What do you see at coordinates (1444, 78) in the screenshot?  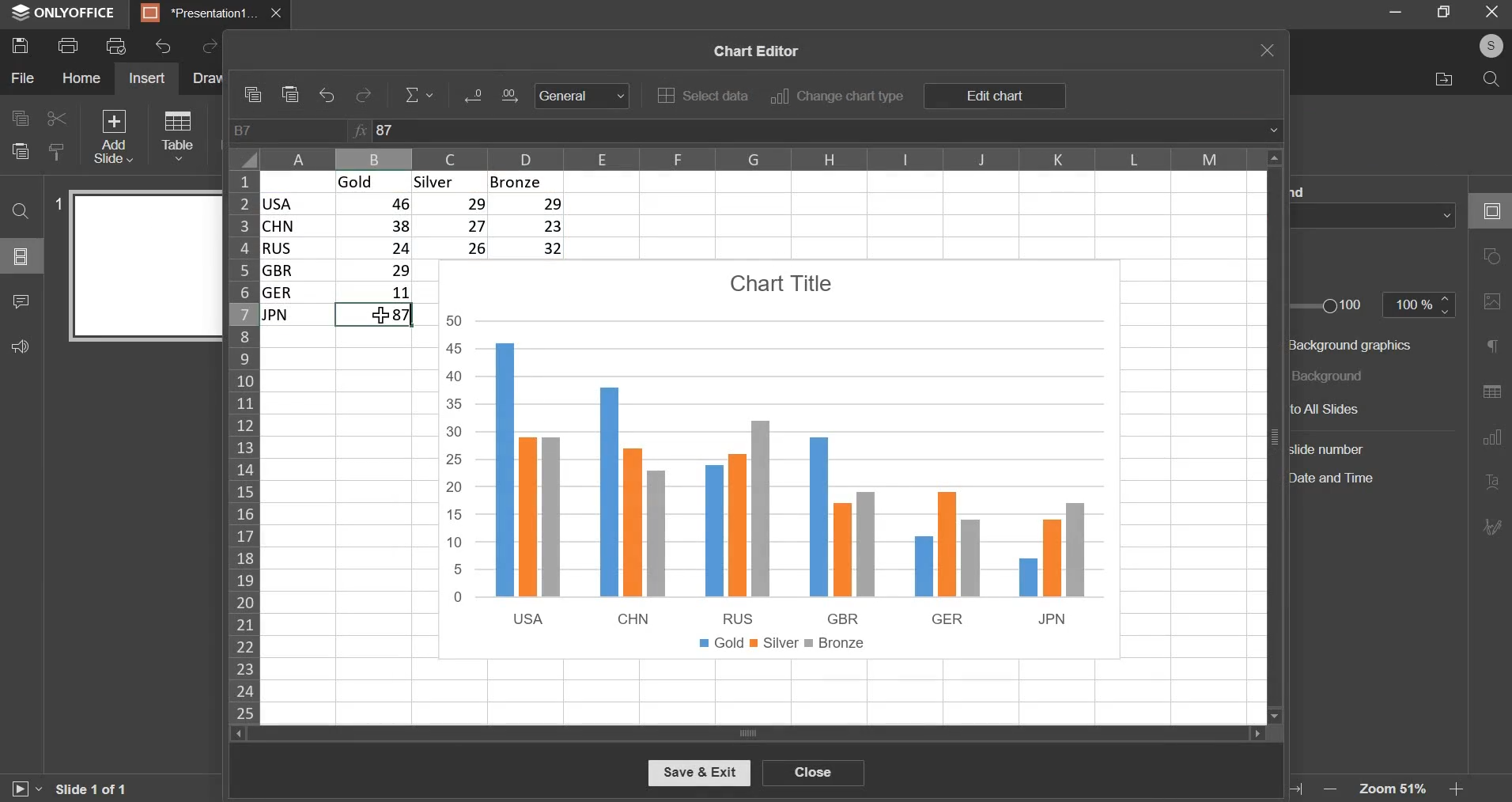 I see `file location` at bounding box center [1444, 78].